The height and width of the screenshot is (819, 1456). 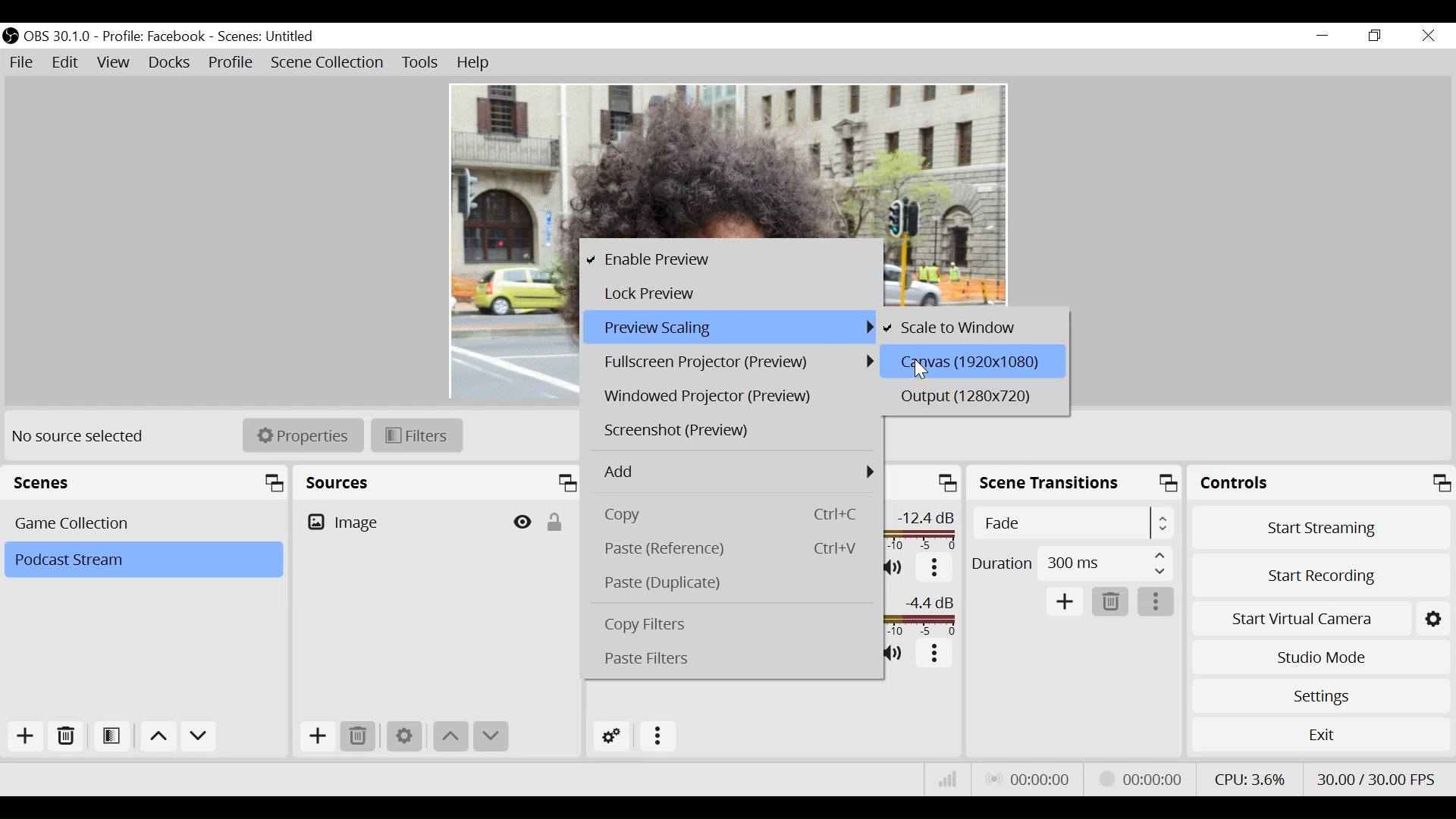 I want to click on More options, so click(x=935, y=571).